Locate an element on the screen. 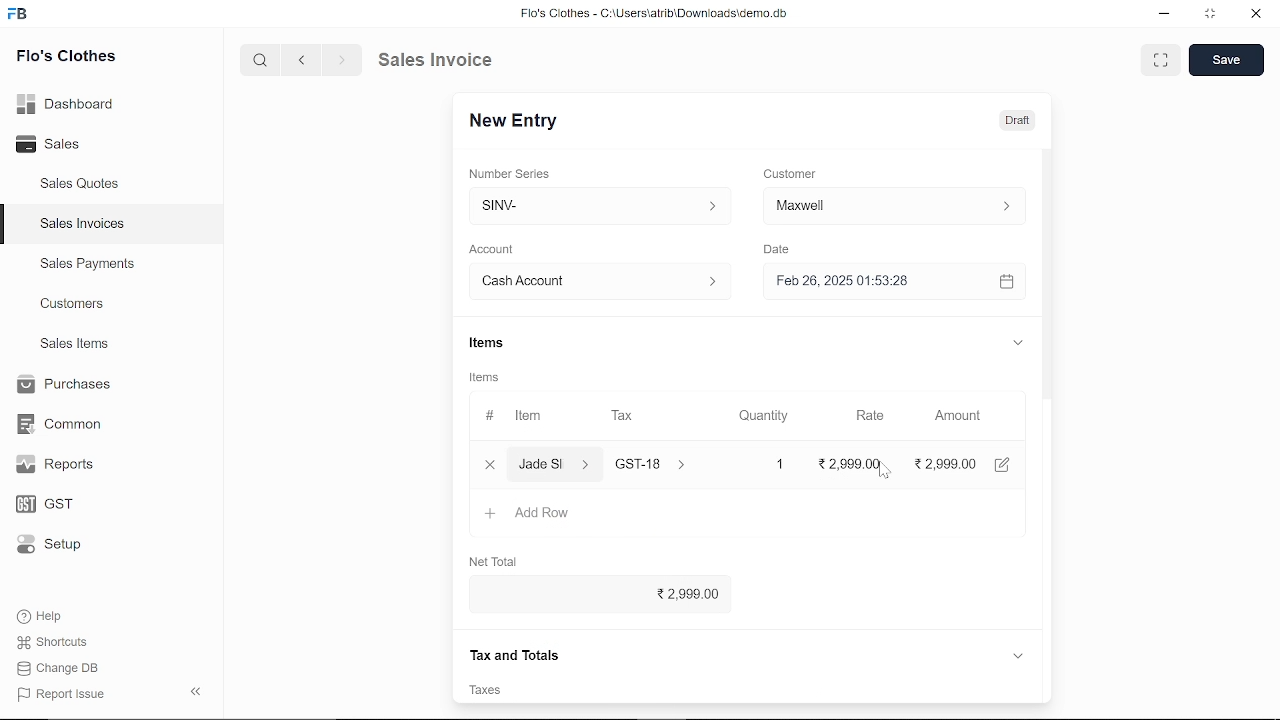 The image size is (1280, 720). open calender is located at coordinates (1006, 281).